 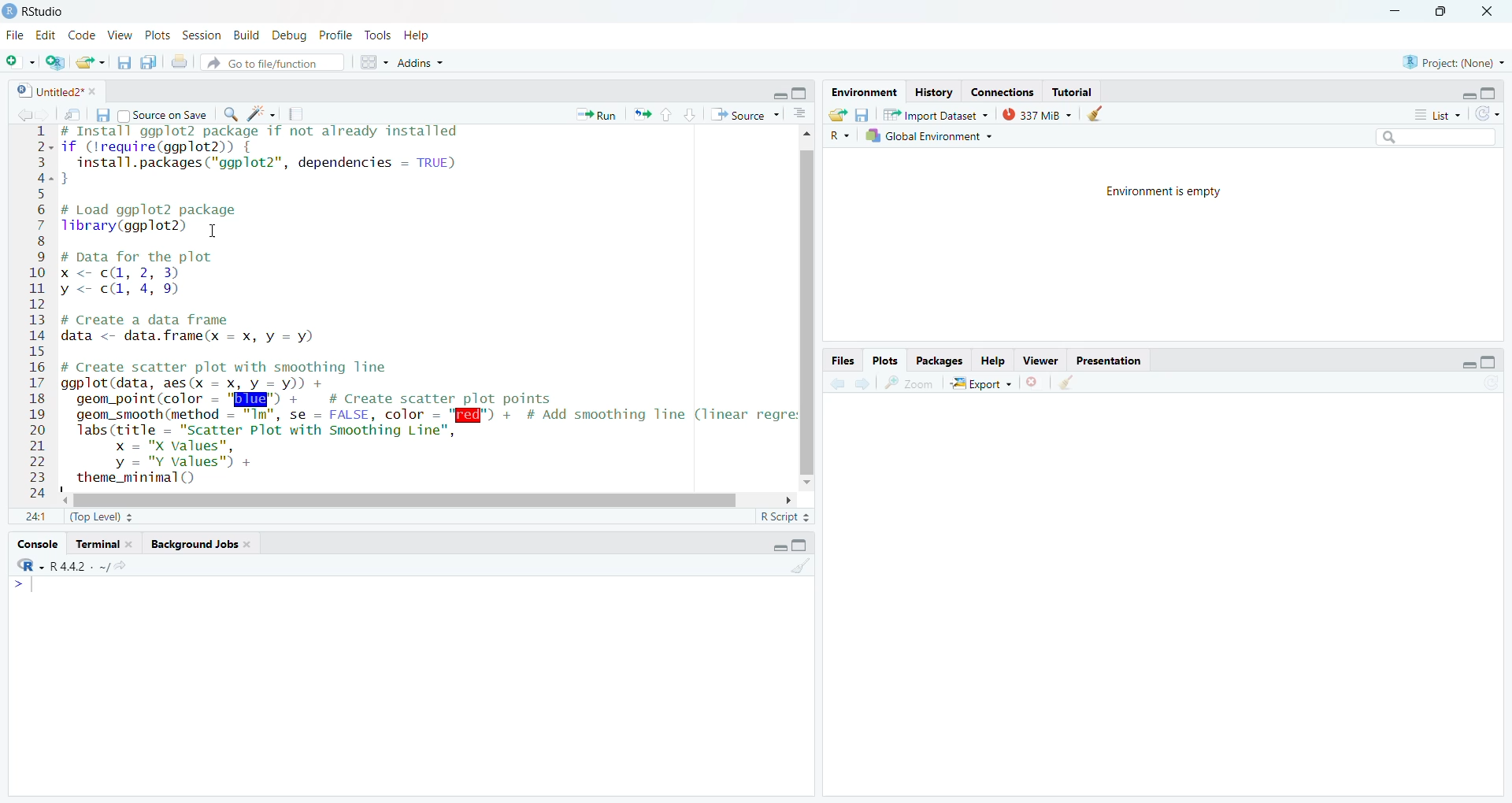 What do you see at coordinates (119, 35) in the screenshot?
I see ` View` at bounding box center [119, 35].